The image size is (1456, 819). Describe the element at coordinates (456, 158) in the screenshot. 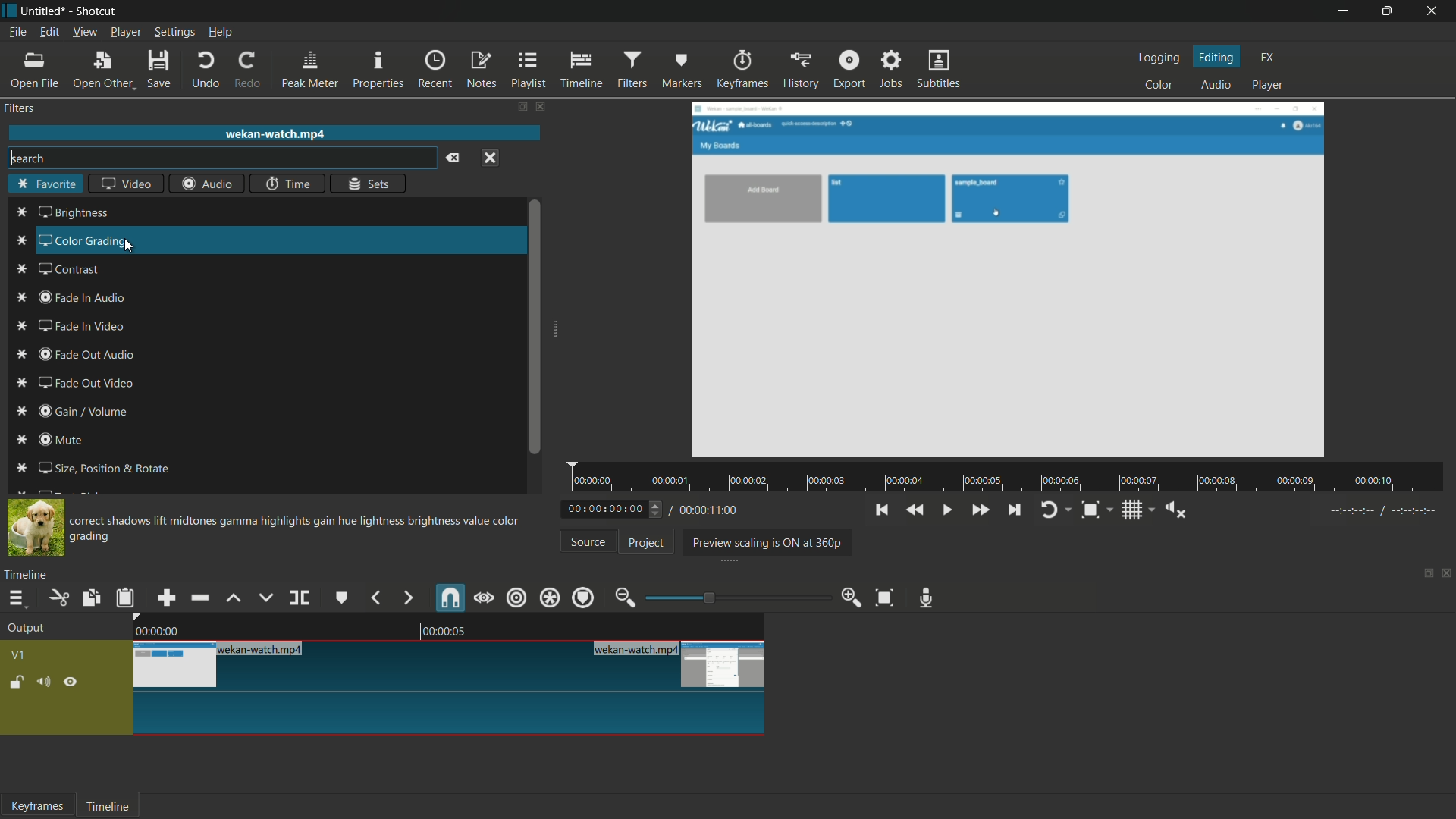

I see `clear search` at that location.